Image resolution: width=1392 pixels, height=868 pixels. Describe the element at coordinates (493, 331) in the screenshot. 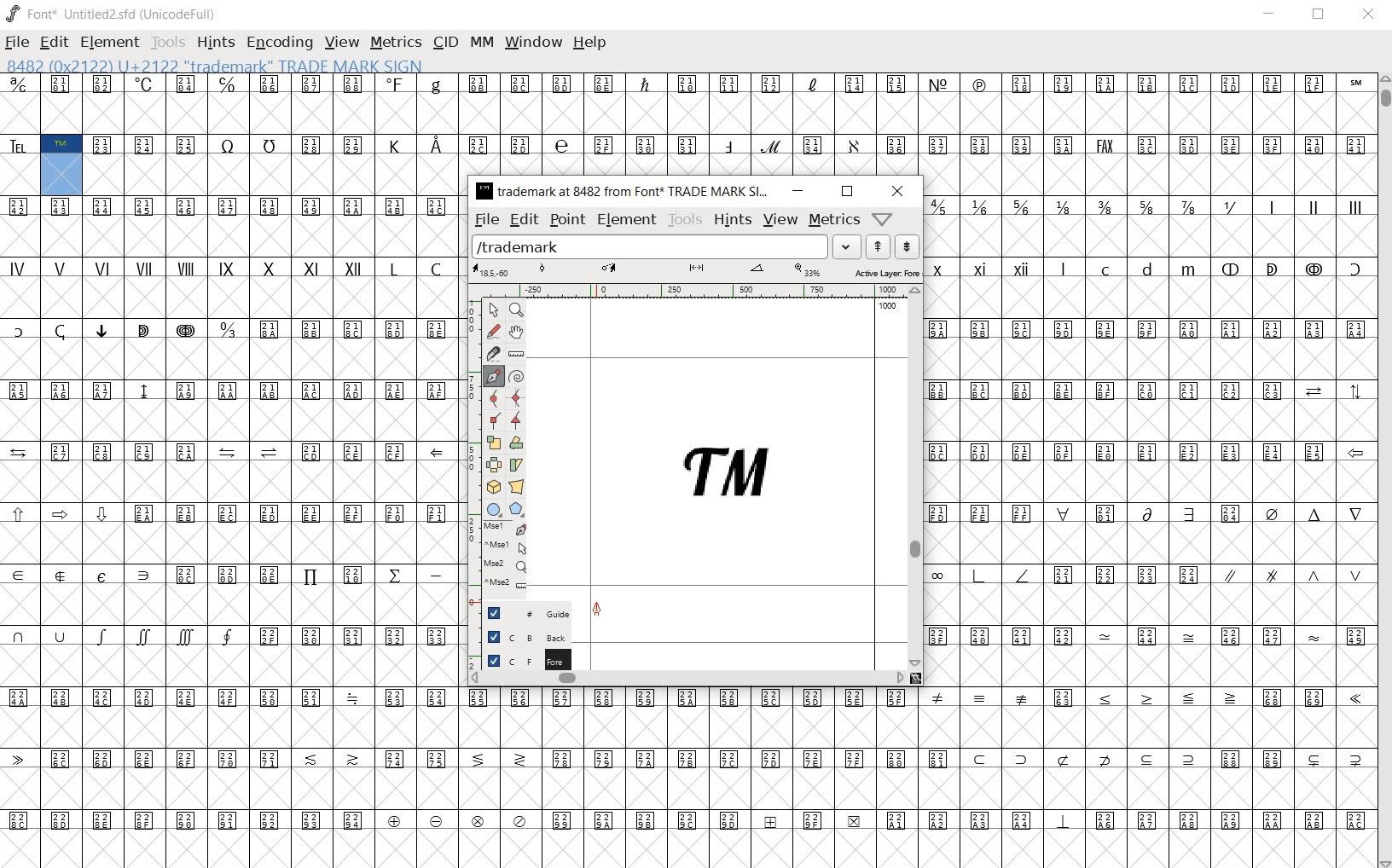

I see `draw a freehand curve` at that location.